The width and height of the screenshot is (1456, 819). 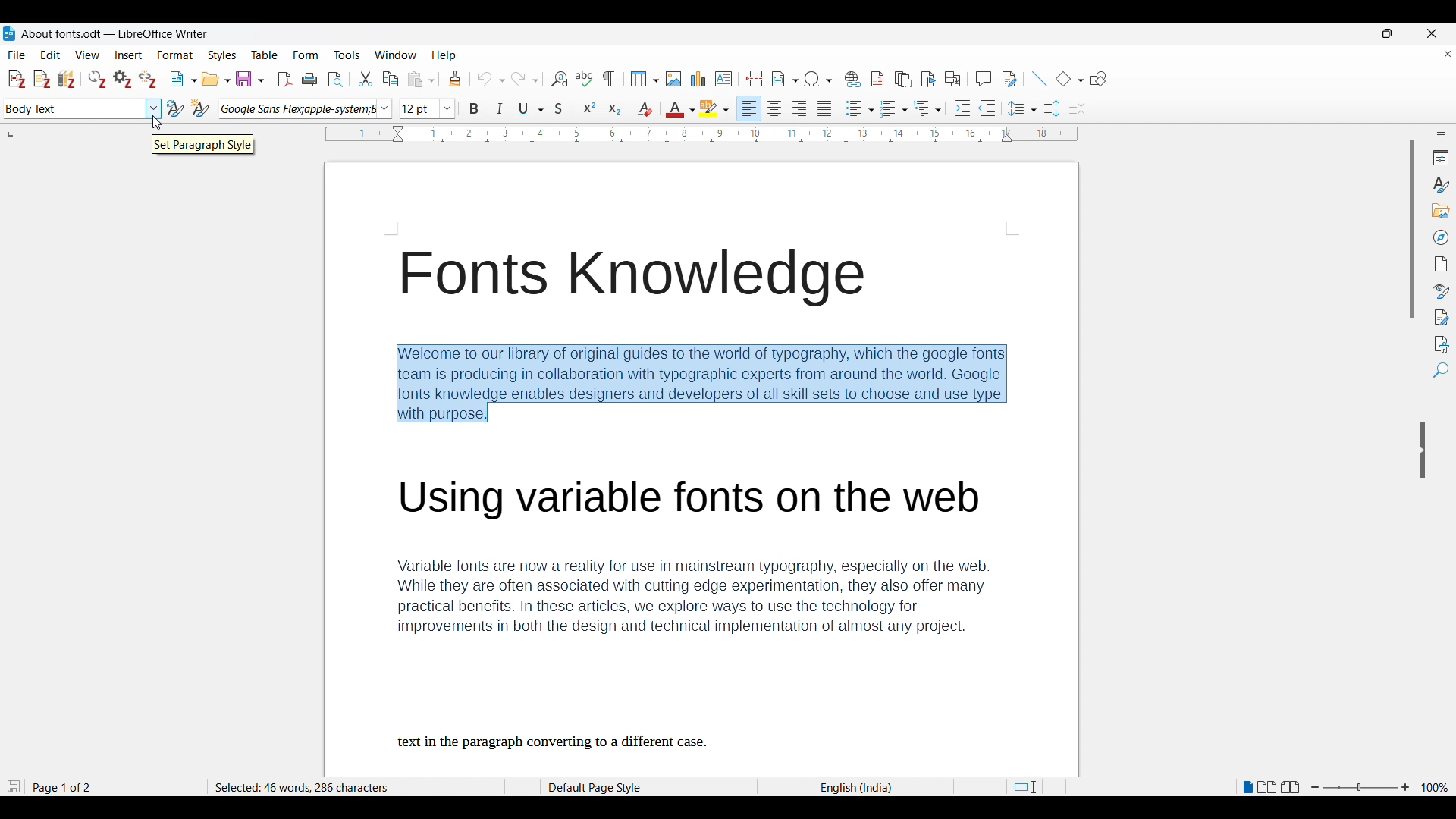 I want to click on Print, so click(x=309, y=80).